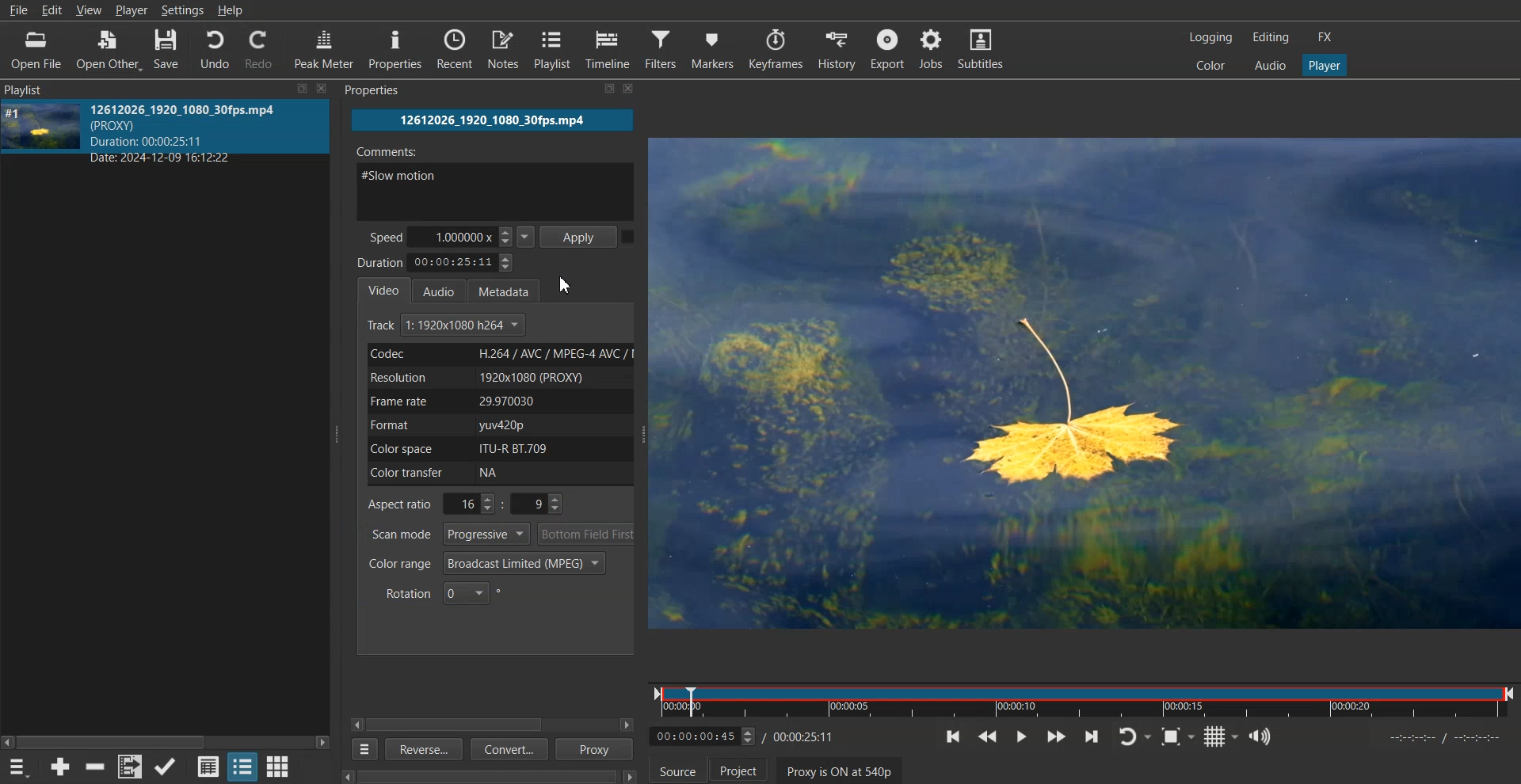 The height and width of the screenshot is (784, 1521). What do you see at coordinates (1083, 698) in the screenshot?
I see `Timeline` at bounding box center [1083, 698].